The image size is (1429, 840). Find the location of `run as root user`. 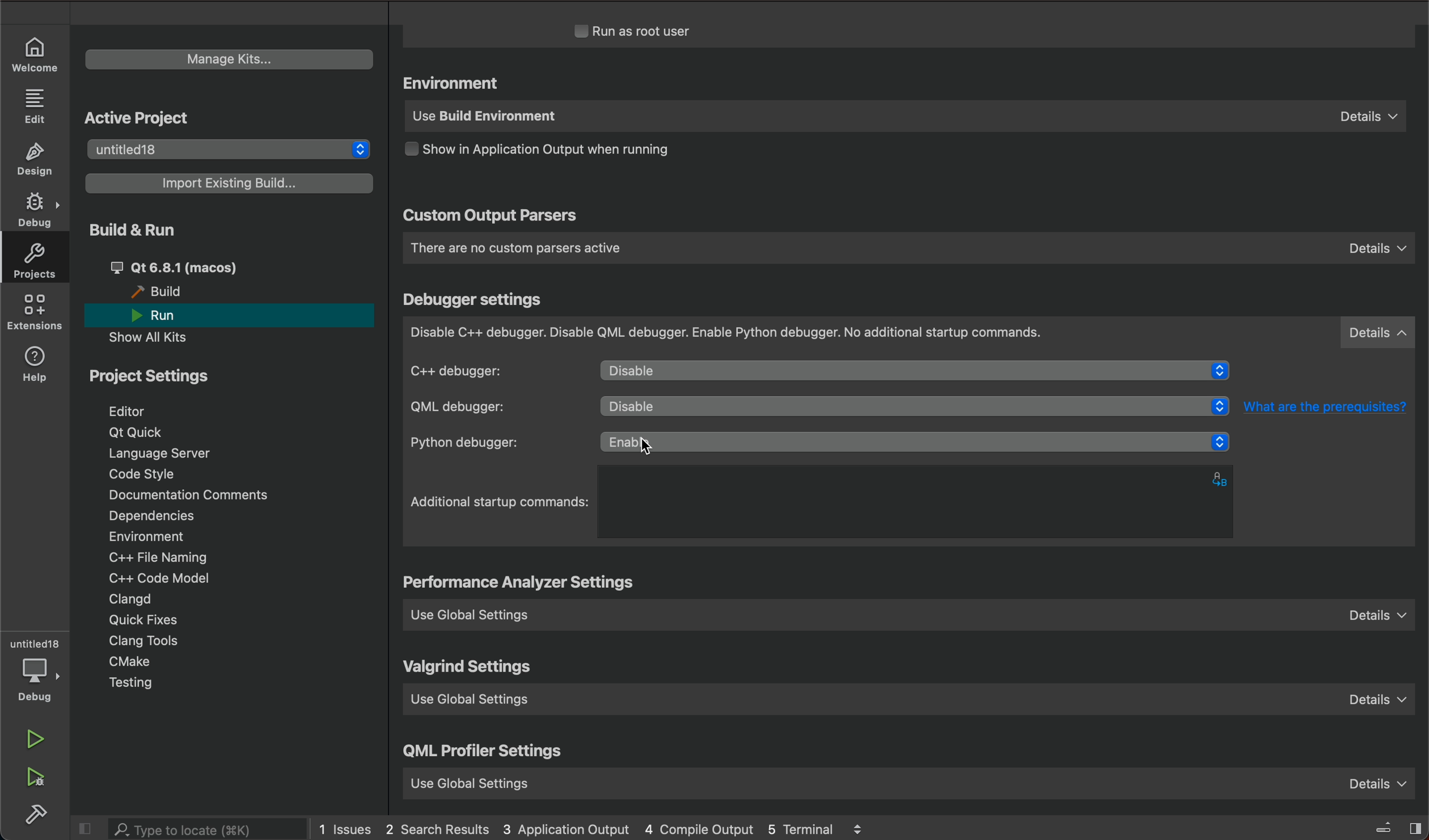

run as root user is located at coordinates (647, 31).